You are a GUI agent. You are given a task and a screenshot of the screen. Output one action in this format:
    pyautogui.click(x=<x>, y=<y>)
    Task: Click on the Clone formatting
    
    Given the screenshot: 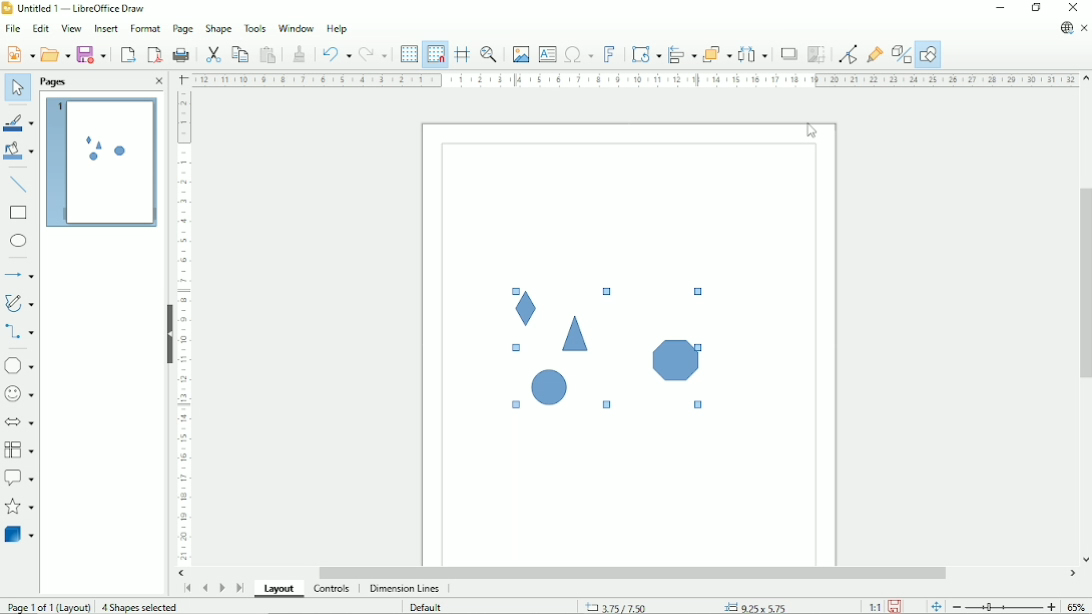 What is the action you would take?
    pyautogui.click(x=300, y=53)
    